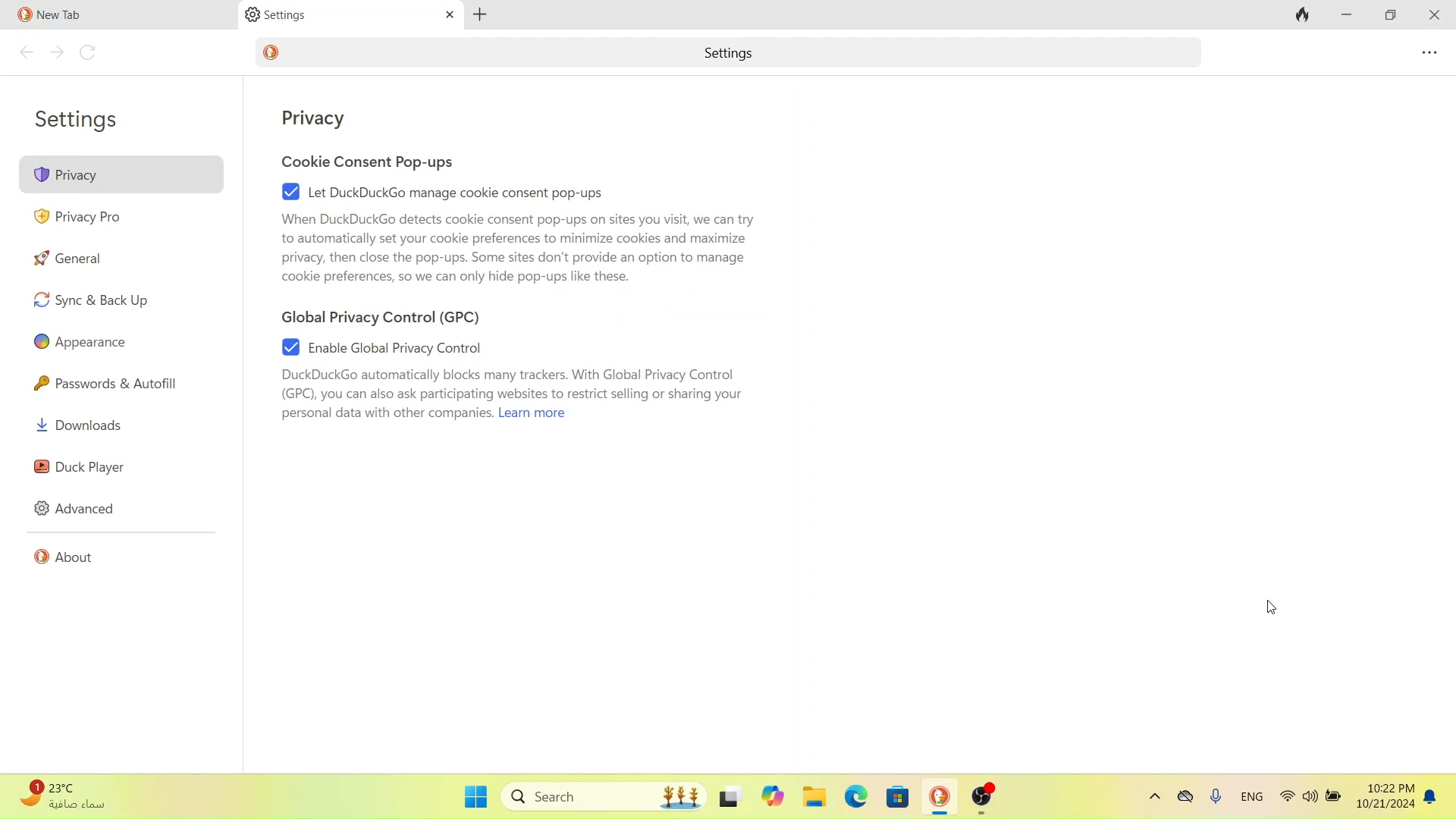  Describe the element at coordinates (83, 467) in the screenshot. I see `duck player` at that location.